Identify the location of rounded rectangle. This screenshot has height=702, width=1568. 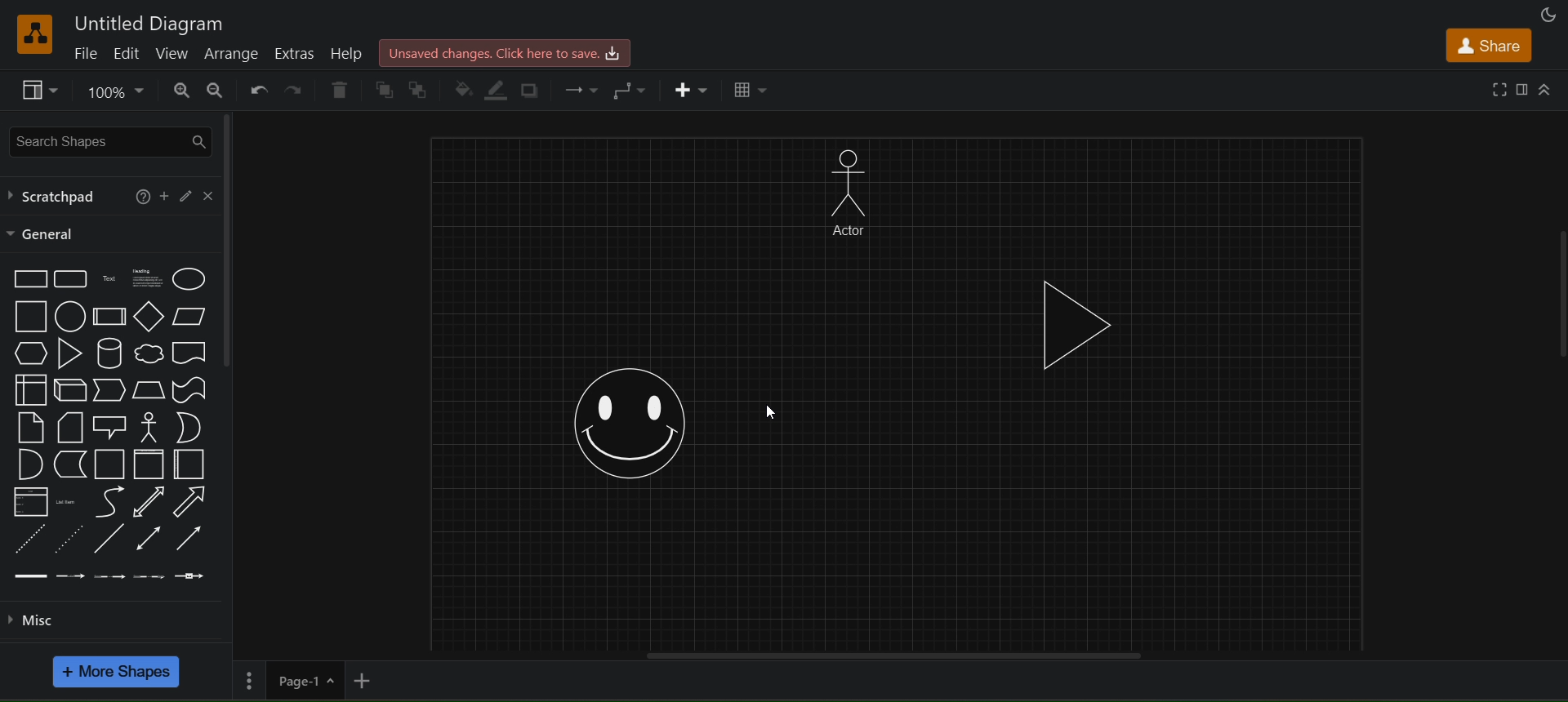
(71, 279).